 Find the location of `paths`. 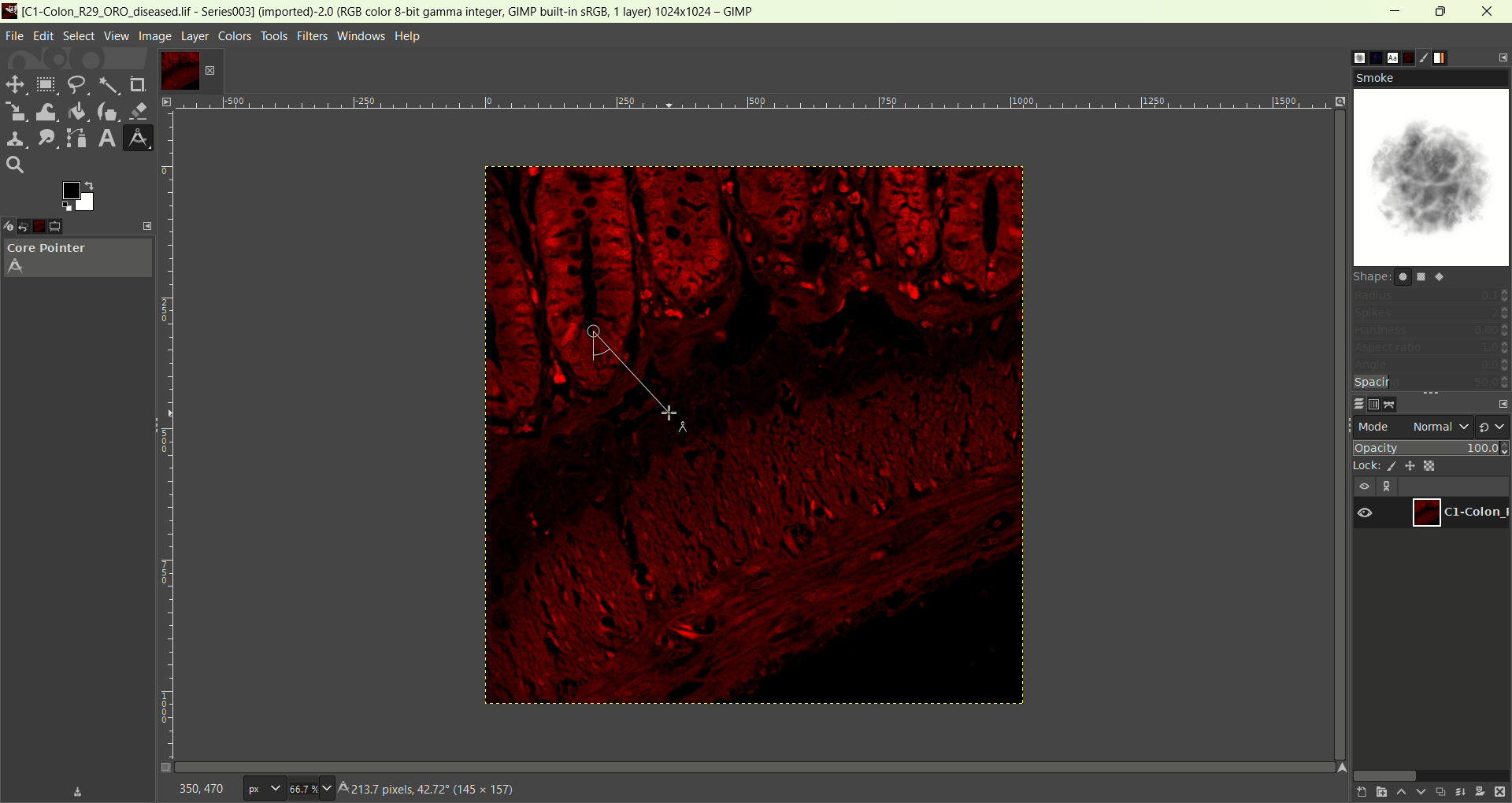

paths is located at coordinates (1394, 404).